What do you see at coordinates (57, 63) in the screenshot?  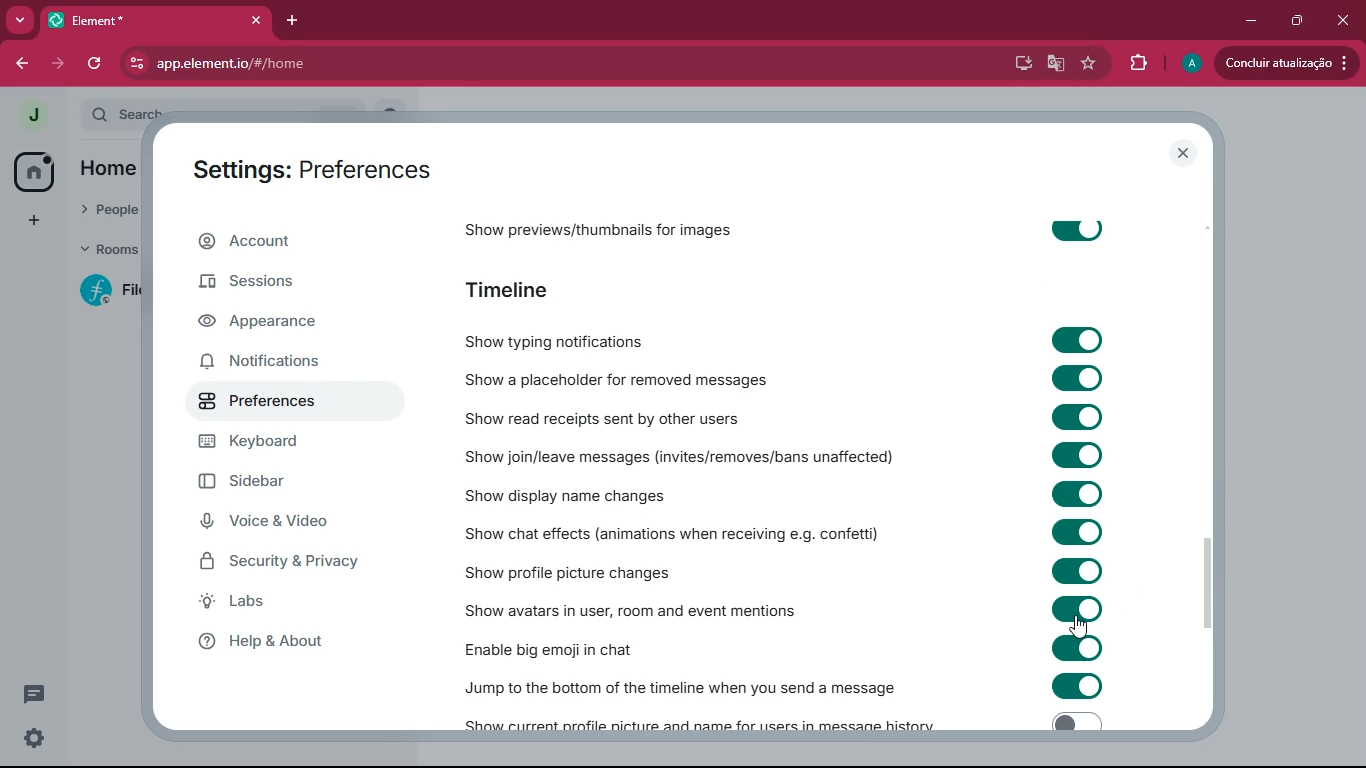 I see `forward` at bounding box center [57, 63].